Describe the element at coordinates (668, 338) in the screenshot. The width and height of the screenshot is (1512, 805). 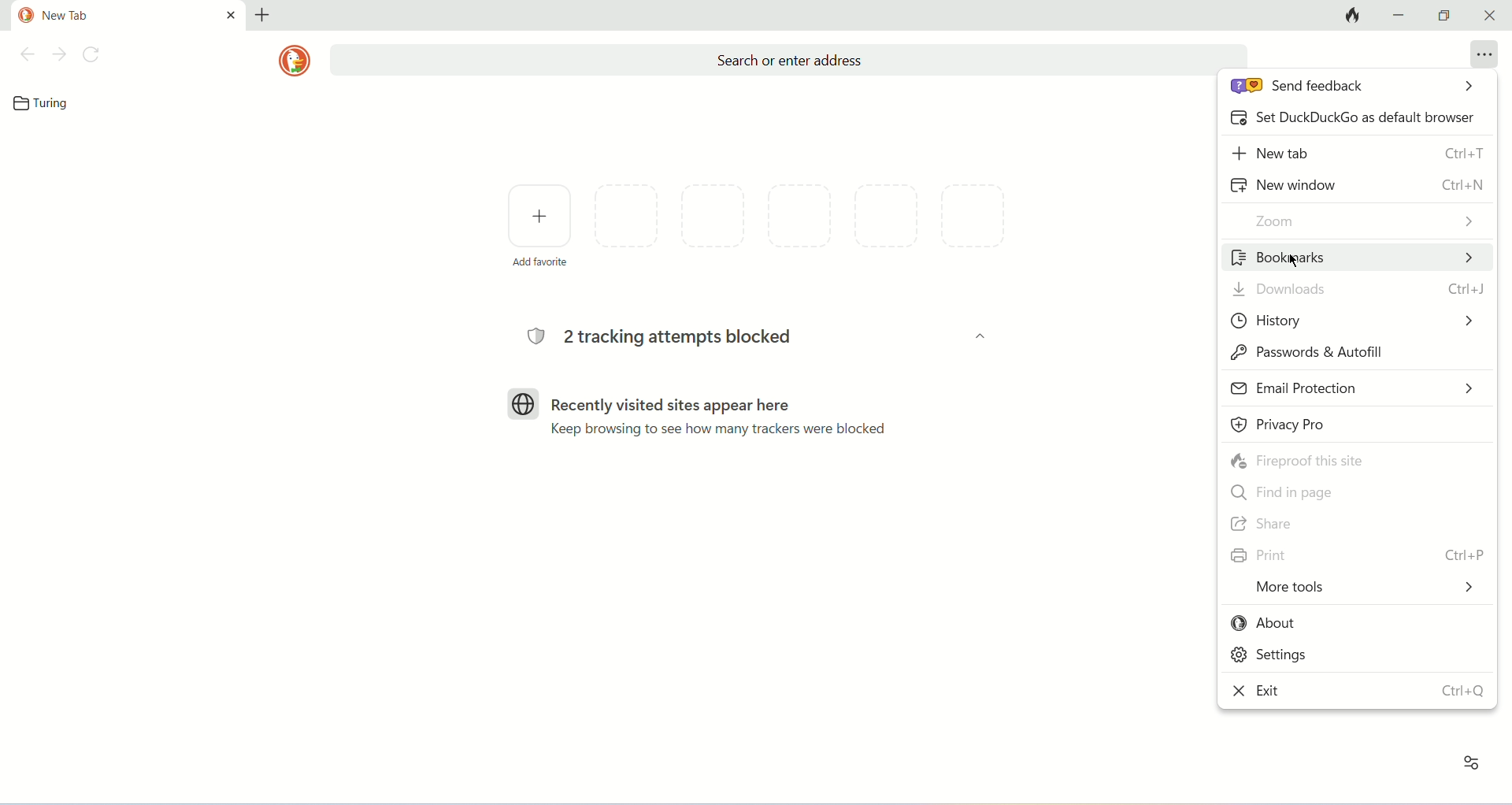
I see ` 2 tracking attempts blocked` at that location.